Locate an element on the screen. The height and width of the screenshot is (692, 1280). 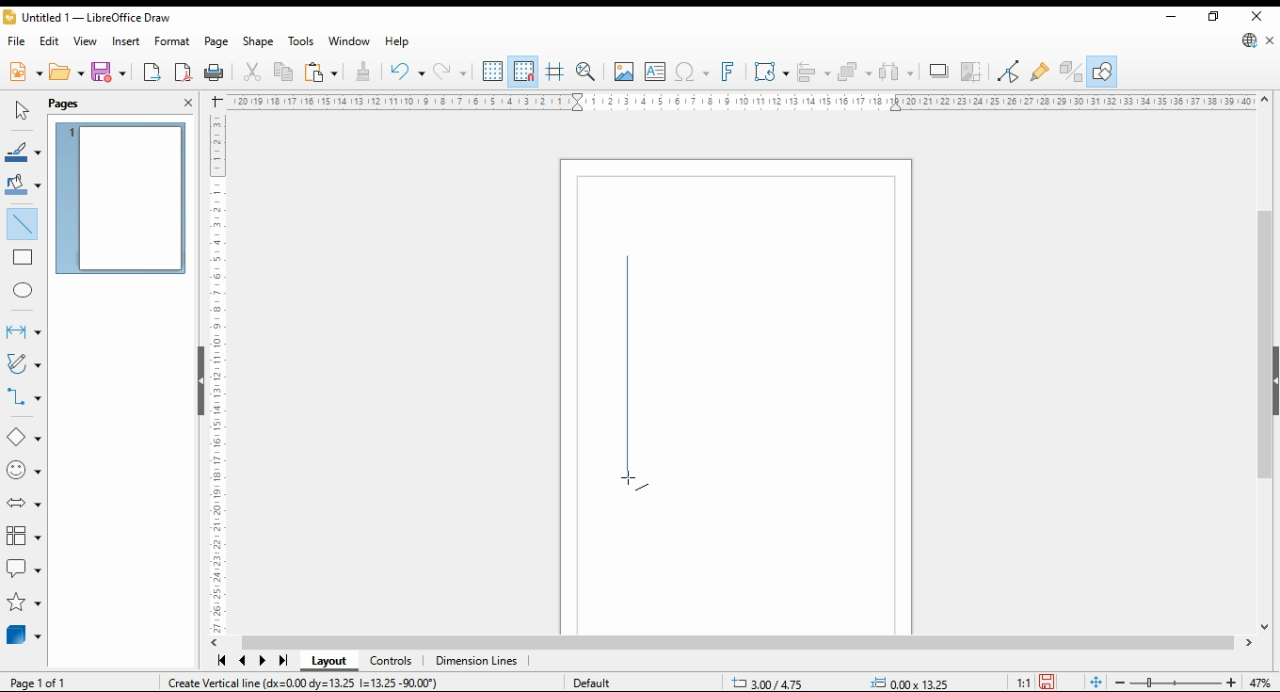
minimize is located at coordinates (1172, 17).